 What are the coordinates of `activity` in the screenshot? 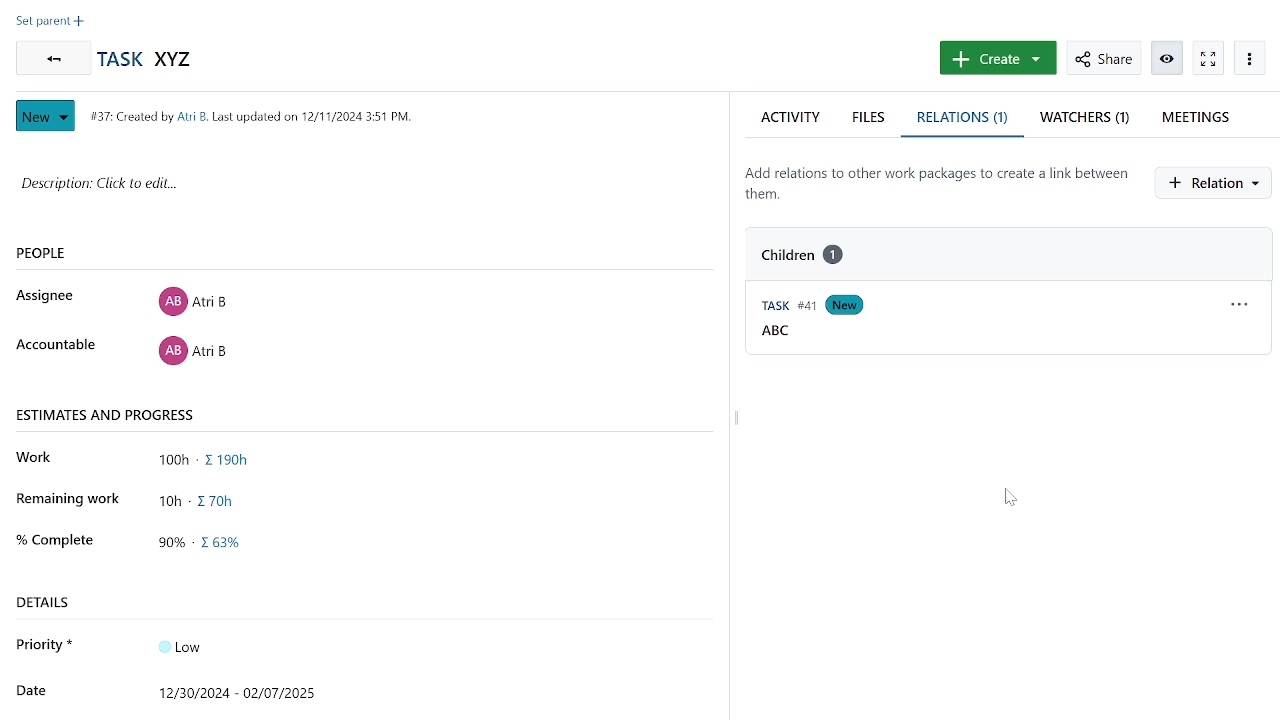 It's located at (790, 117).